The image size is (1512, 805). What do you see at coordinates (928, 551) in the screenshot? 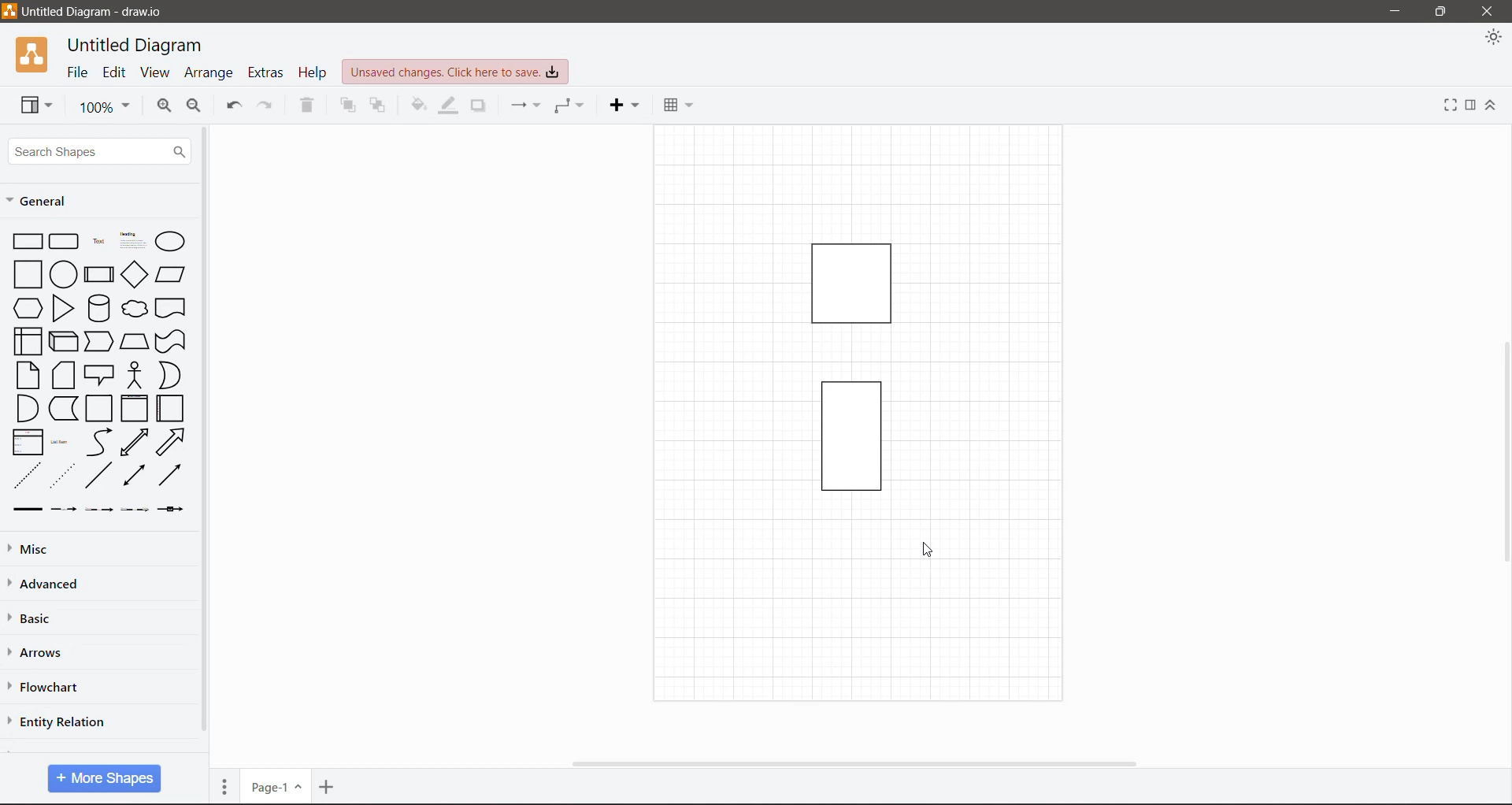
I see `cursor` at bounding box center [928, 551].